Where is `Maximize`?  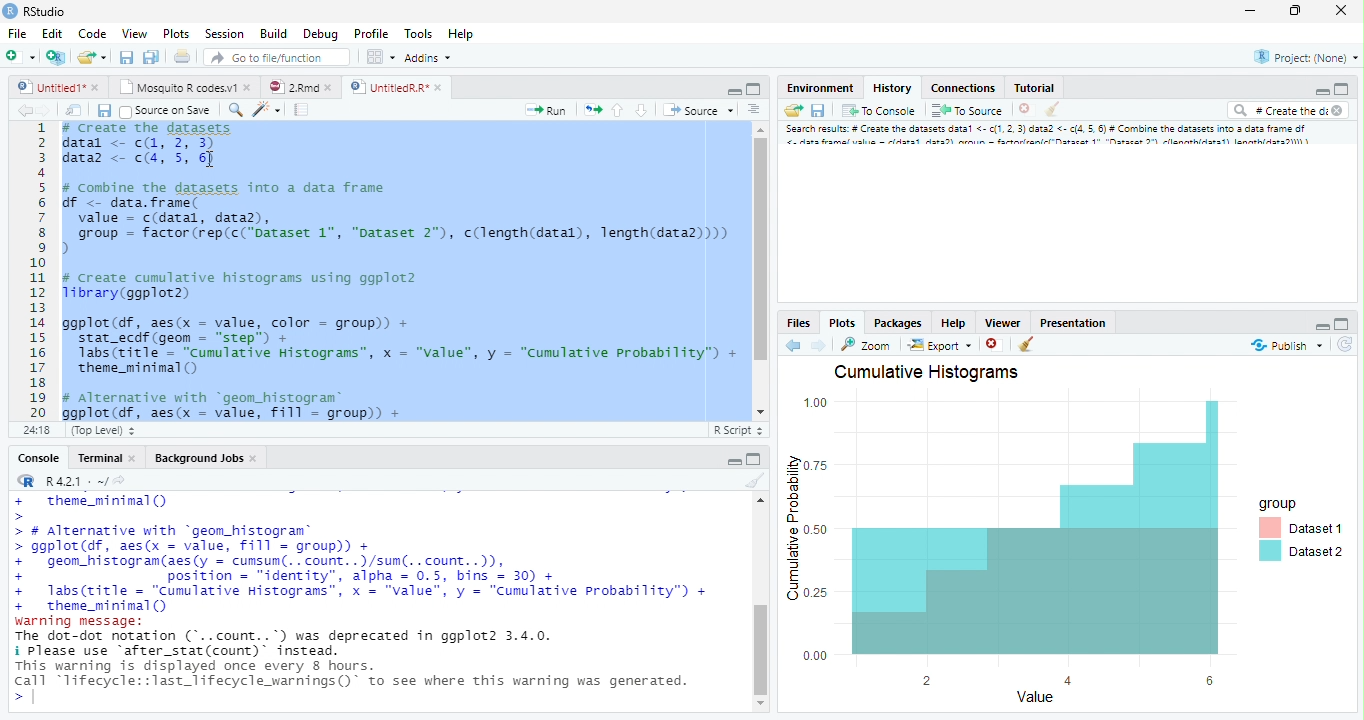
Maximize is located at coordinates (757, 460).